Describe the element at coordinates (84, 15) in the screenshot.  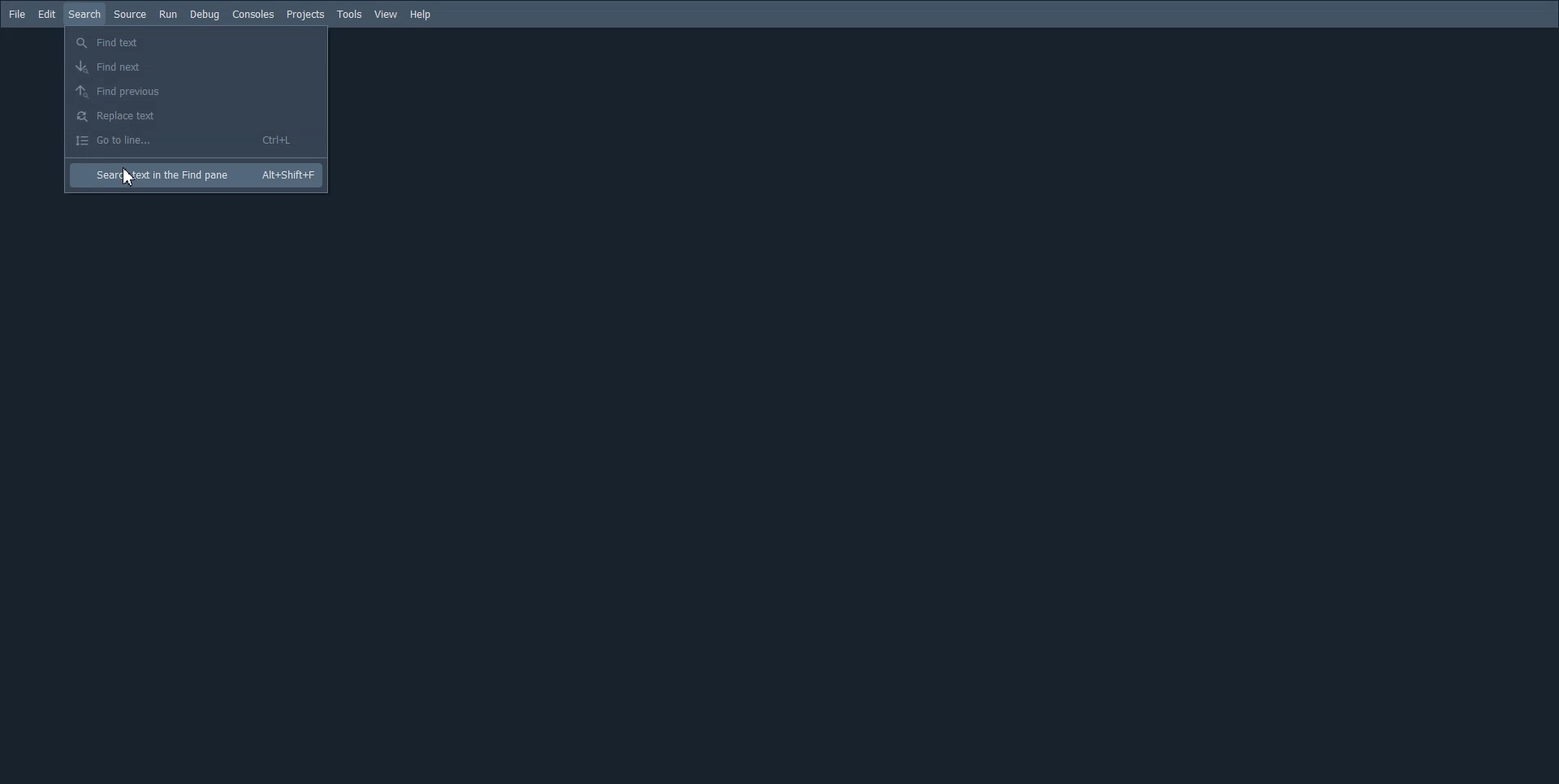
I see `Search` at that location.